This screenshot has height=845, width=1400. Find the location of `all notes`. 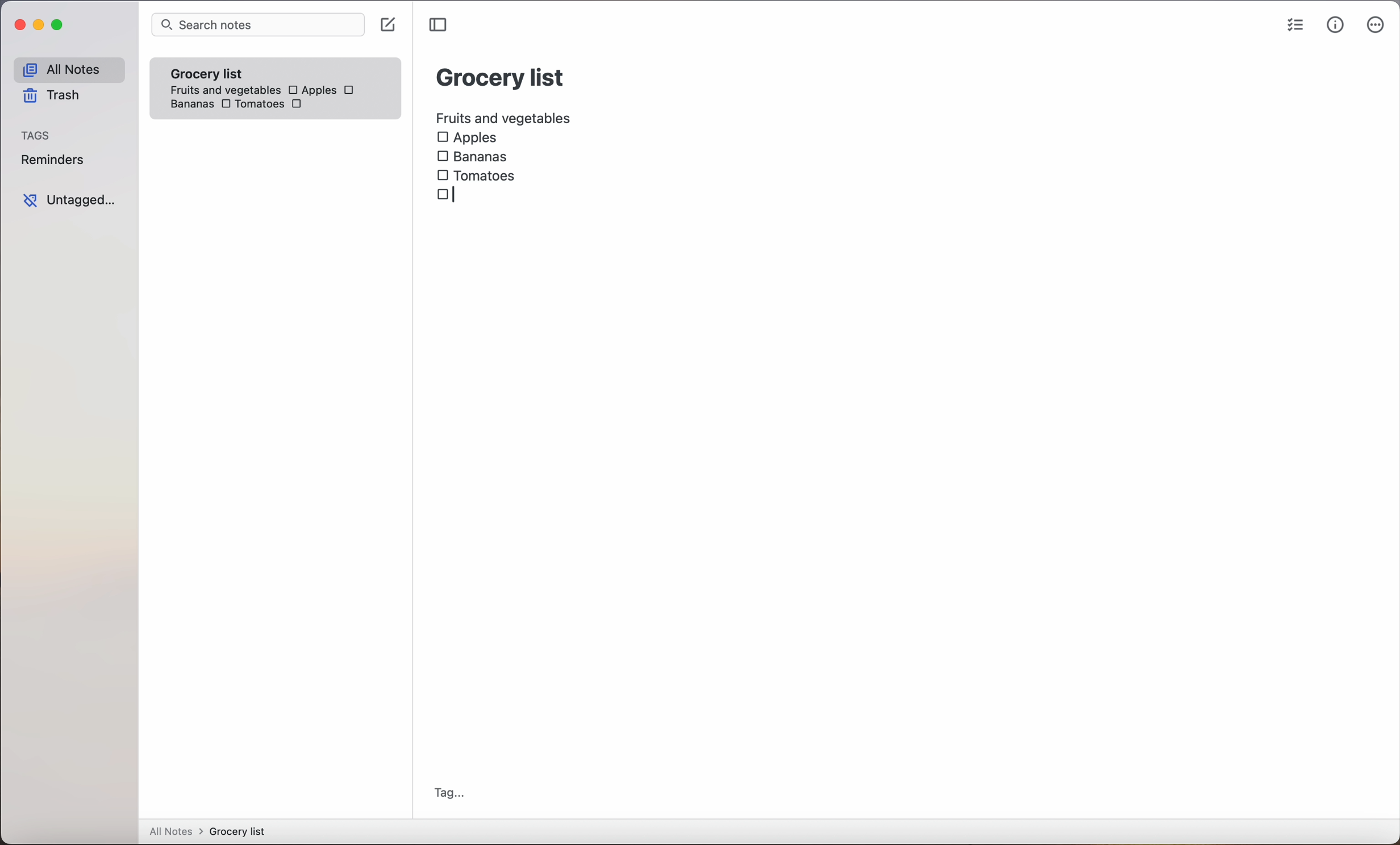

all notes is located at coordinates (68, 70).